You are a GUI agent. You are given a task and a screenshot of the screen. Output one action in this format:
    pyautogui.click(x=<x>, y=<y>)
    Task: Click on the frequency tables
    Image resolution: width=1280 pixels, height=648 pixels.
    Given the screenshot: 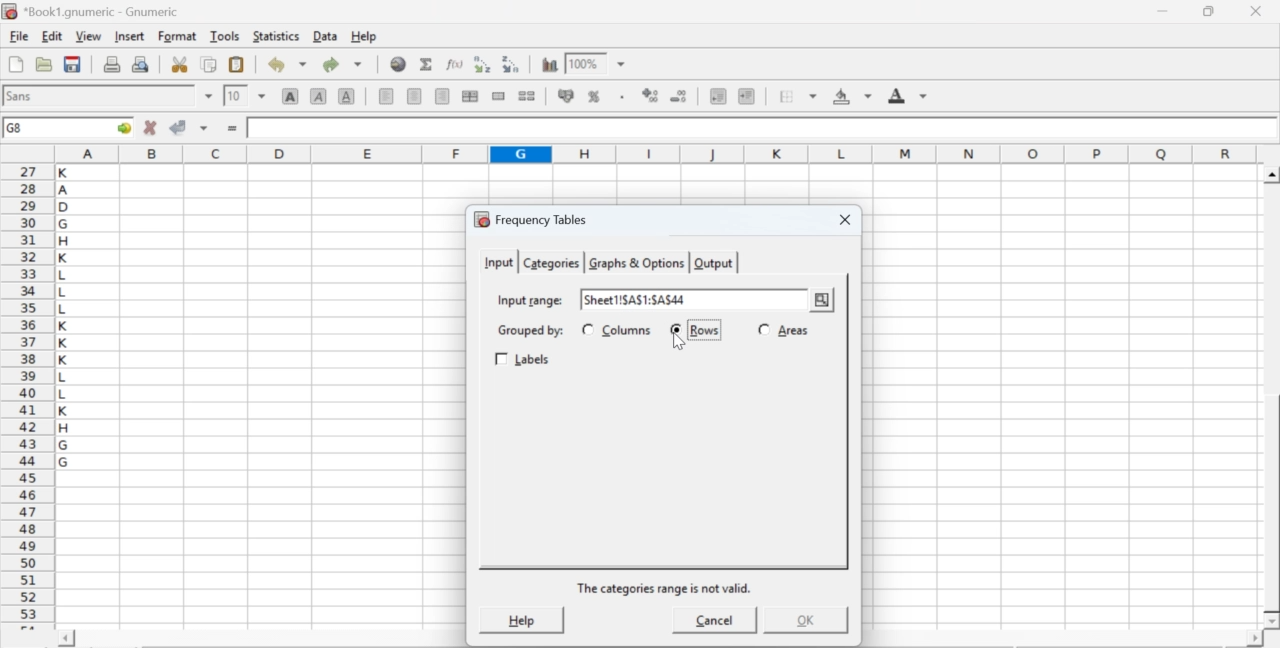 What is the action you would take?
    pyautogui.click(x=531, y=219)
    